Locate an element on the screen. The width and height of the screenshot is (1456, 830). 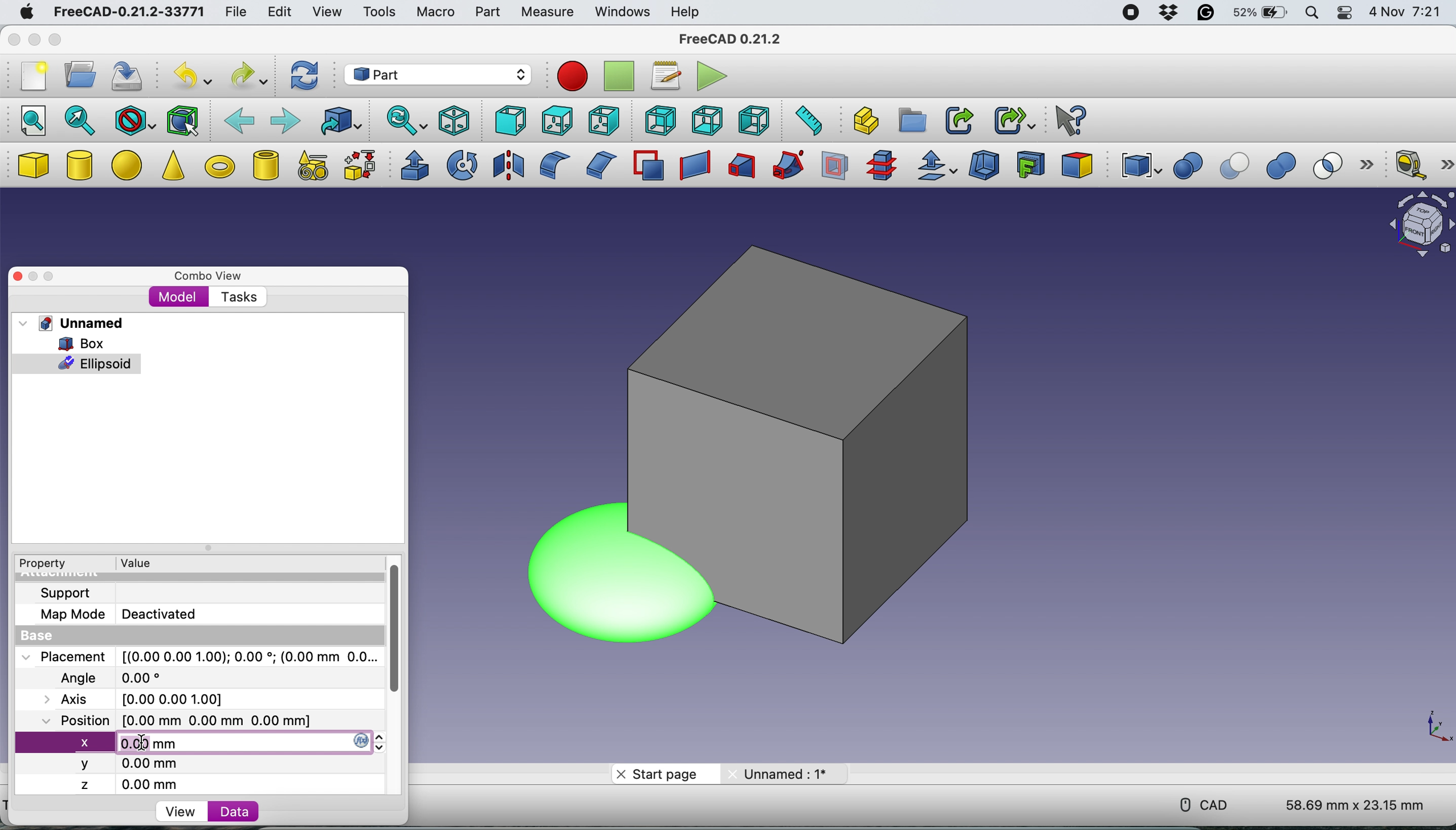
make link is located at coordinates (959, 120).